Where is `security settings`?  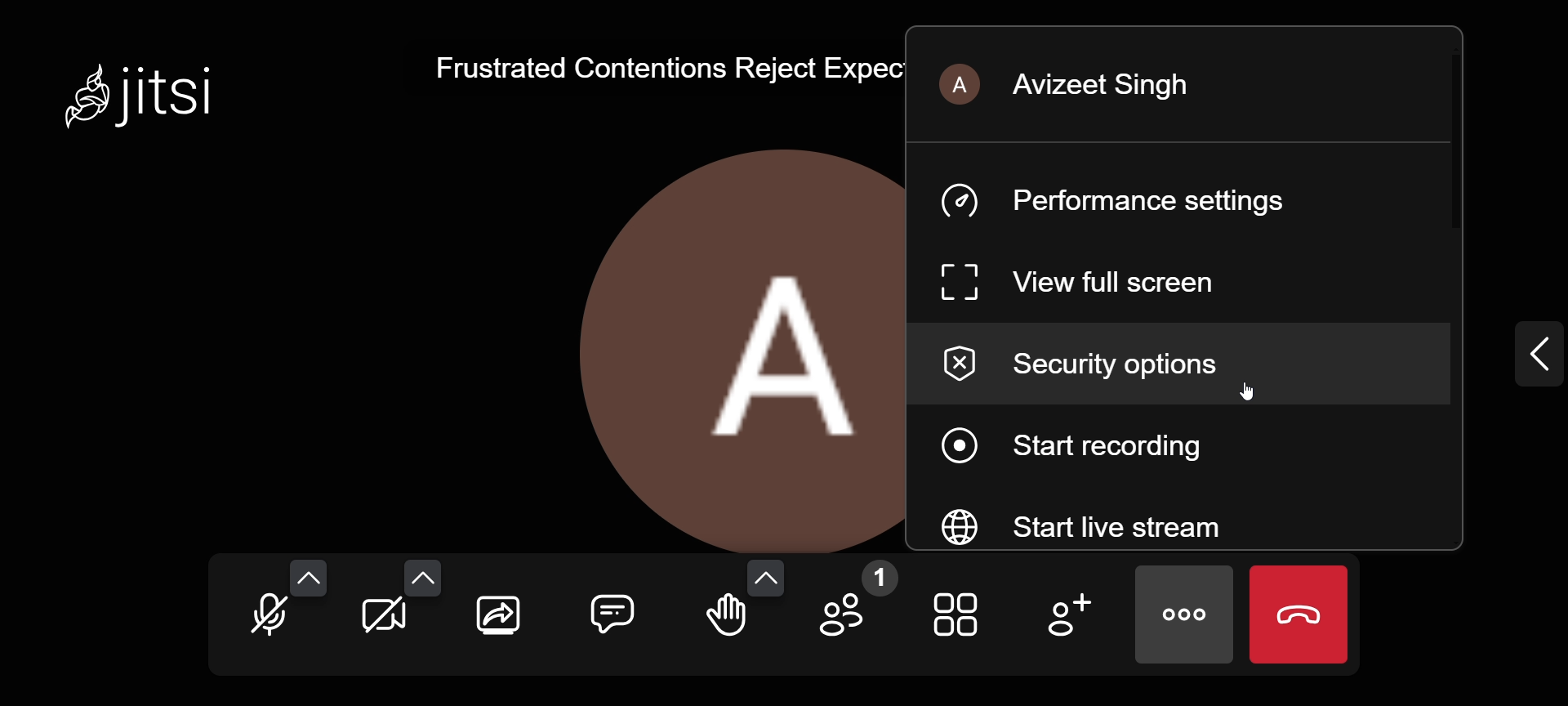
security settings is located at coordinates (1099, 367).